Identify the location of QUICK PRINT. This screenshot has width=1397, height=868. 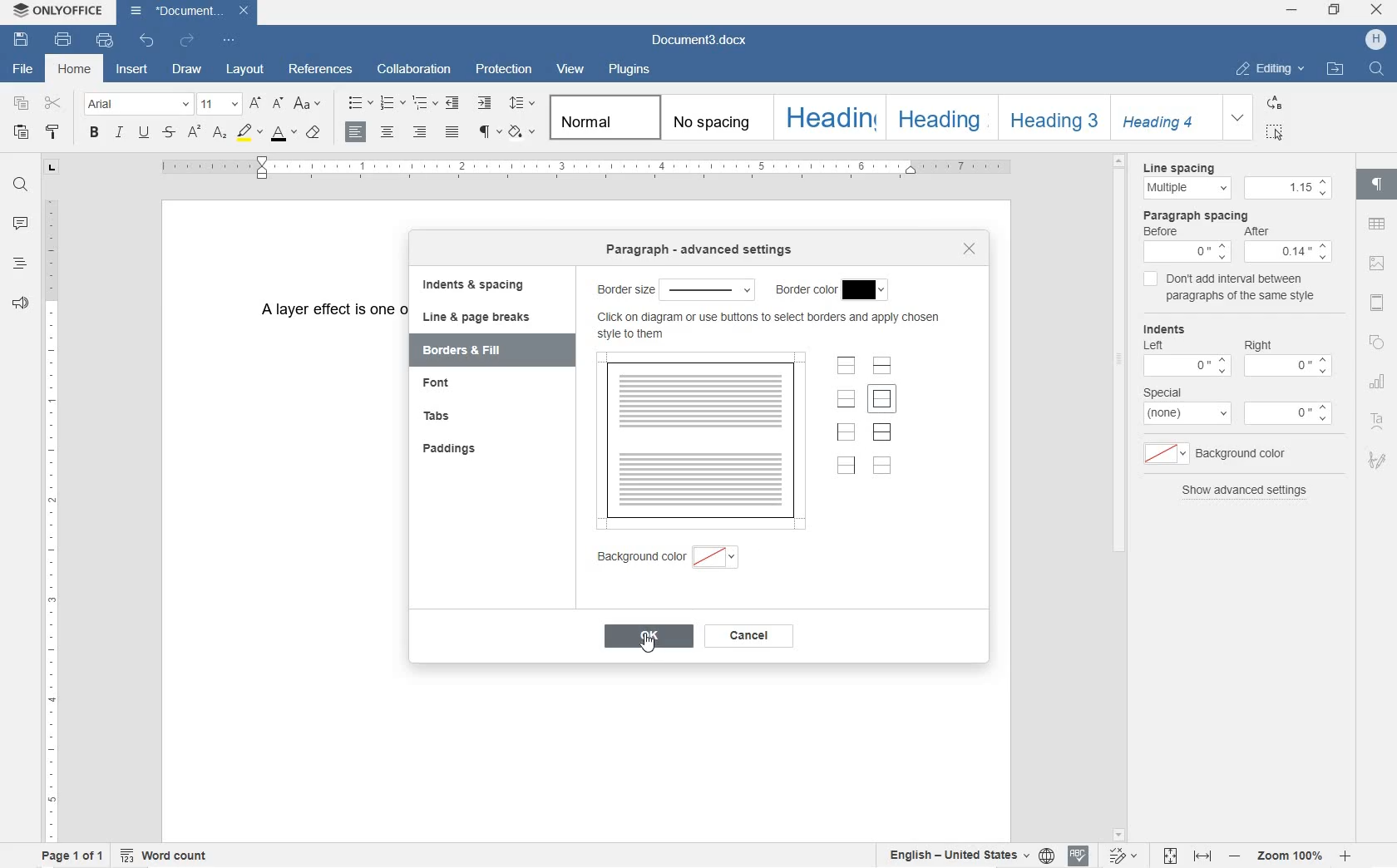
(105, 42).